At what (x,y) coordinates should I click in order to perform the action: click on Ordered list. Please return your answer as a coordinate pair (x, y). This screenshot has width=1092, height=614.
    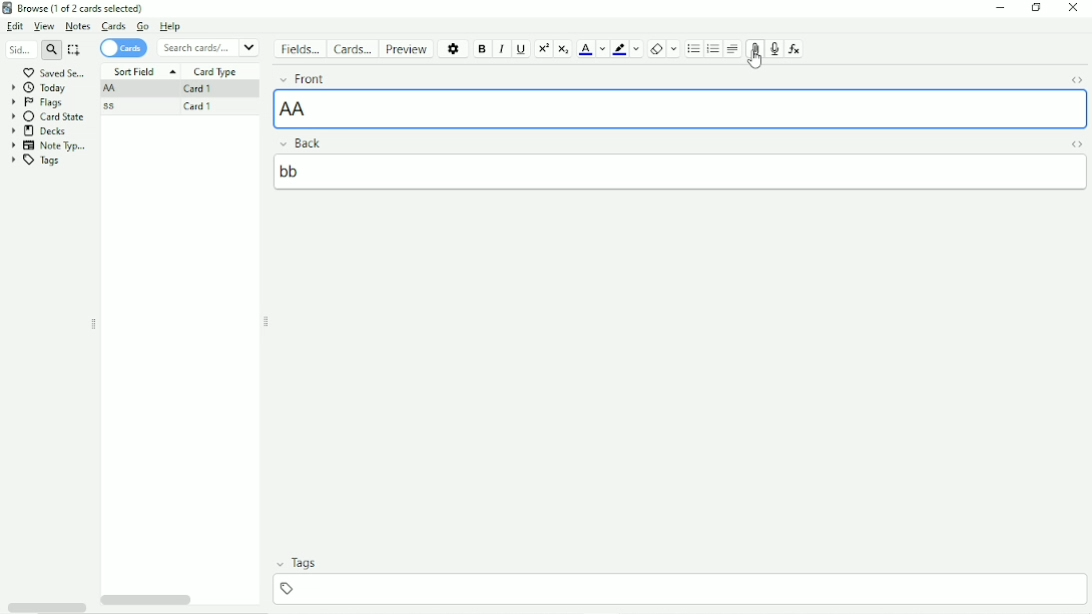
    Looking at the image, I should click on (693, 49).